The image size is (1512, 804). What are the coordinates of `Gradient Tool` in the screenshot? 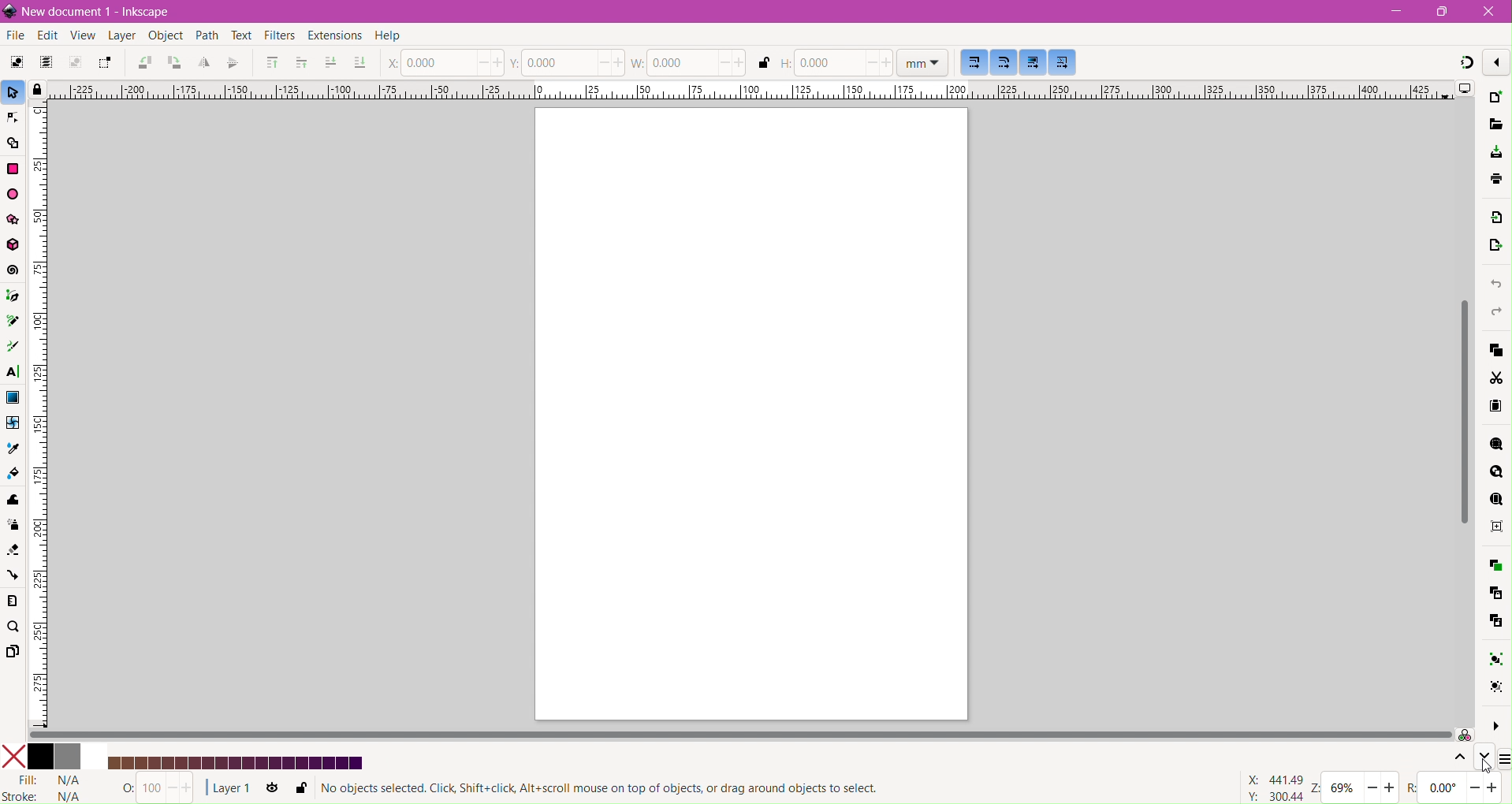 It's located at (13, 396).